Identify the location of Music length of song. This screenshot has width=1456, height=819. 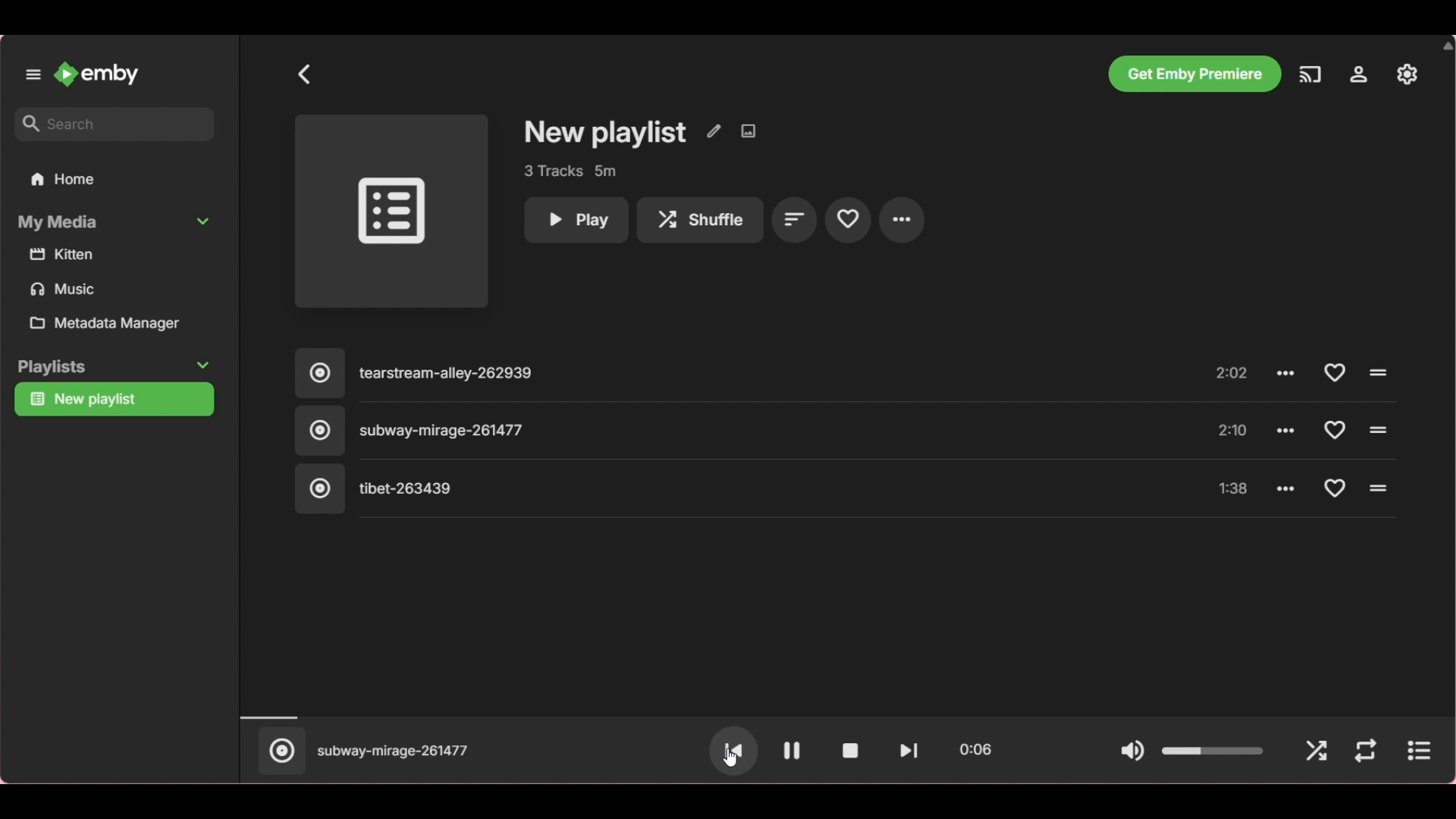
(1234, 431).